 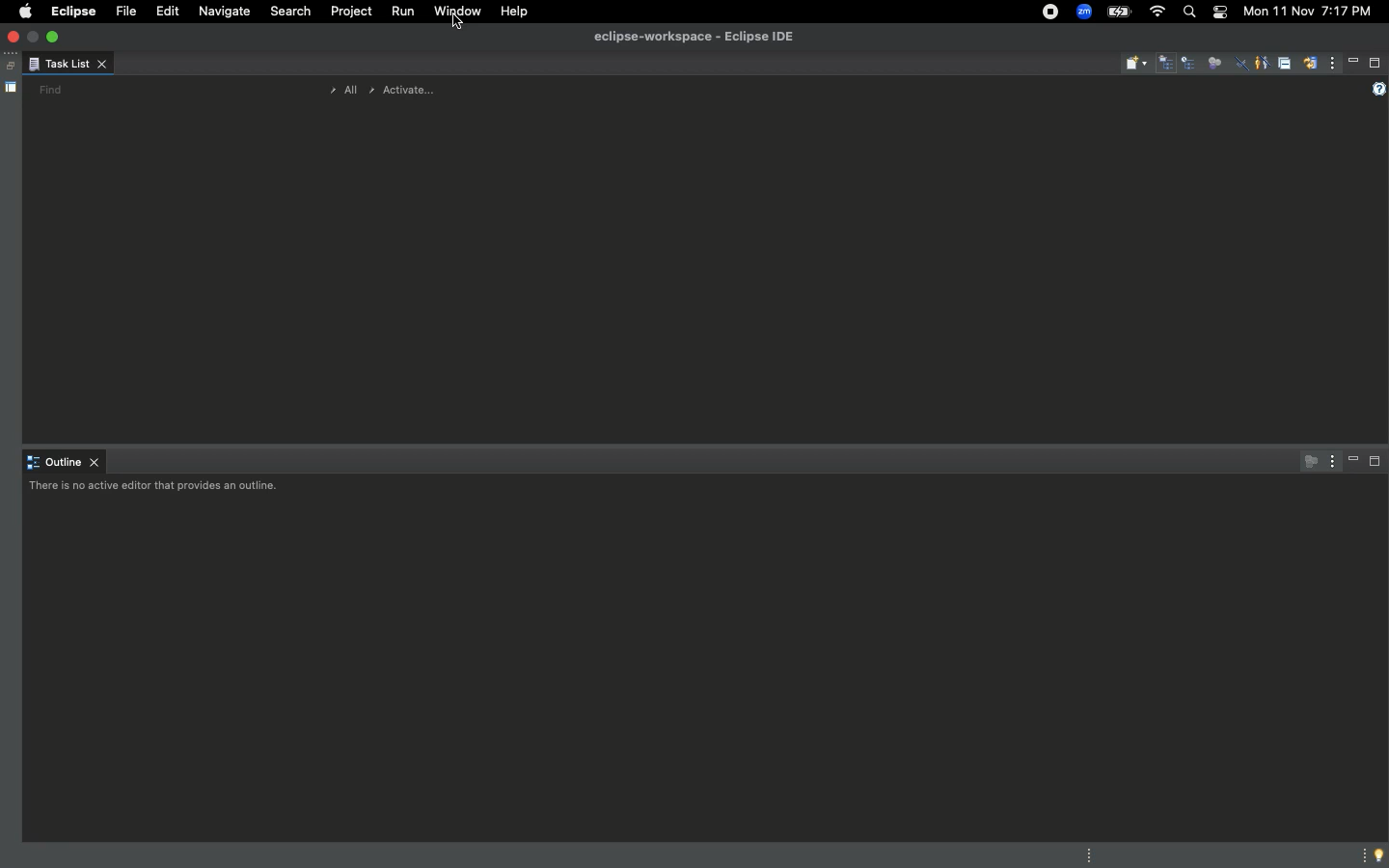 What do you see at coordinates (15, 38) in the screenshot?
I see `close` at bounding box center [15, 38].